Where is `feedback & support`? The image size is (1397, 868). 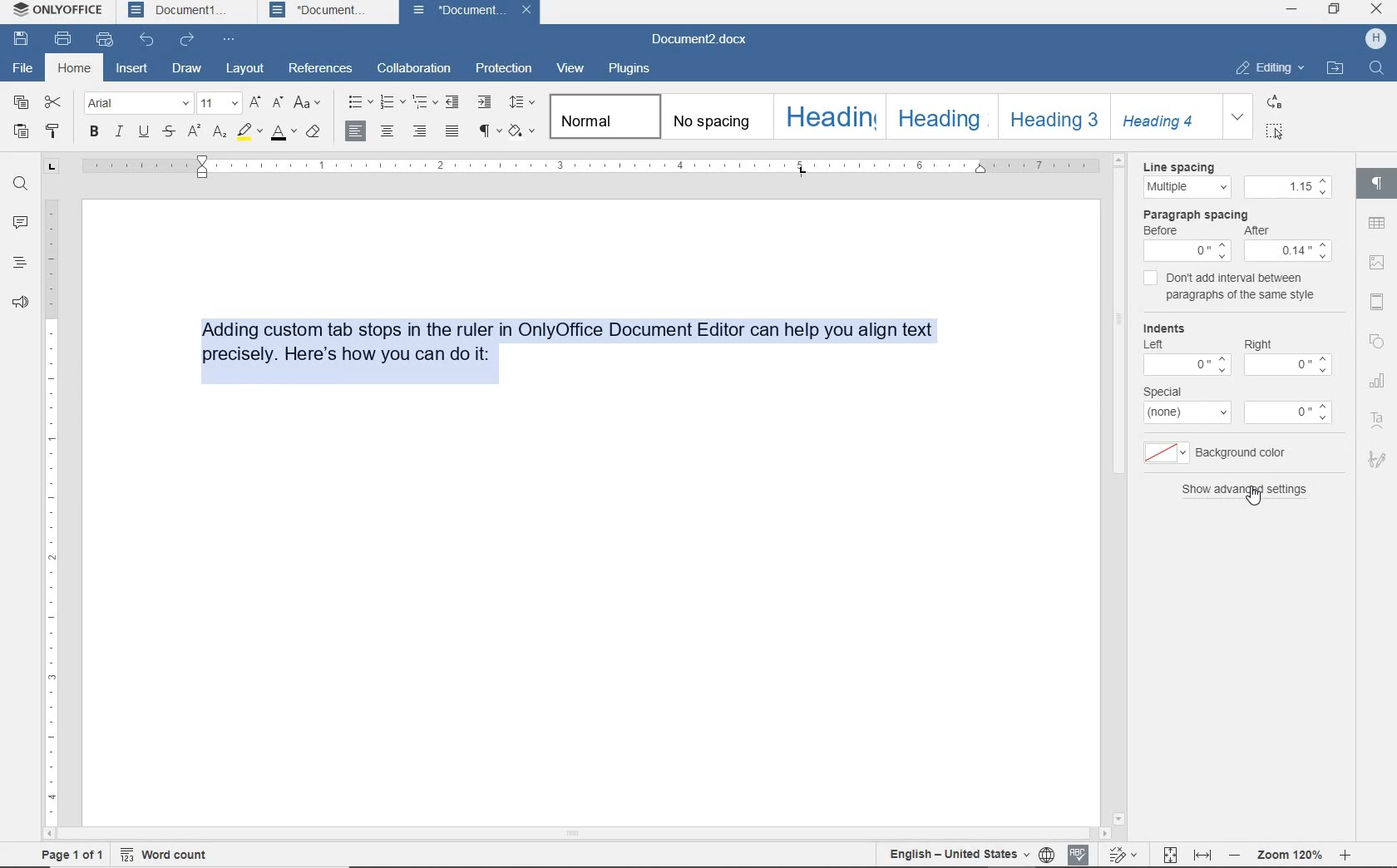 feedback & support is located at coordinates (20, 303).